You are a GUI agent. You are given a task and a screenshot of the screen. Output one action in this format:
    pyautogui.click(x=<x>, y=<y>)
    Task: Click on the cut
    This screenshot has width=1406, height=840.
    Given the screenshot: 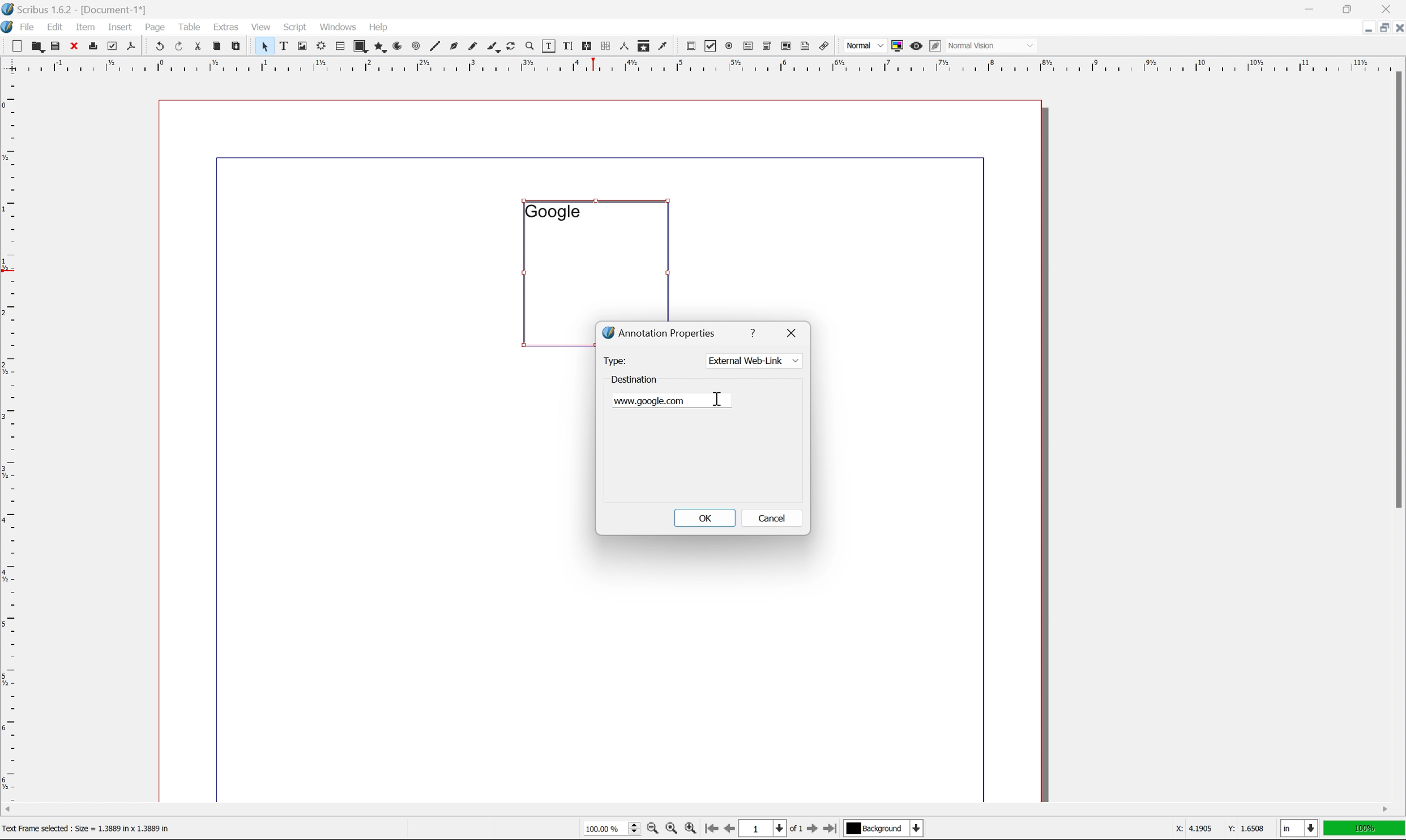 What is the action you would take?
    pyautogui.click(x=198, y=46)
    